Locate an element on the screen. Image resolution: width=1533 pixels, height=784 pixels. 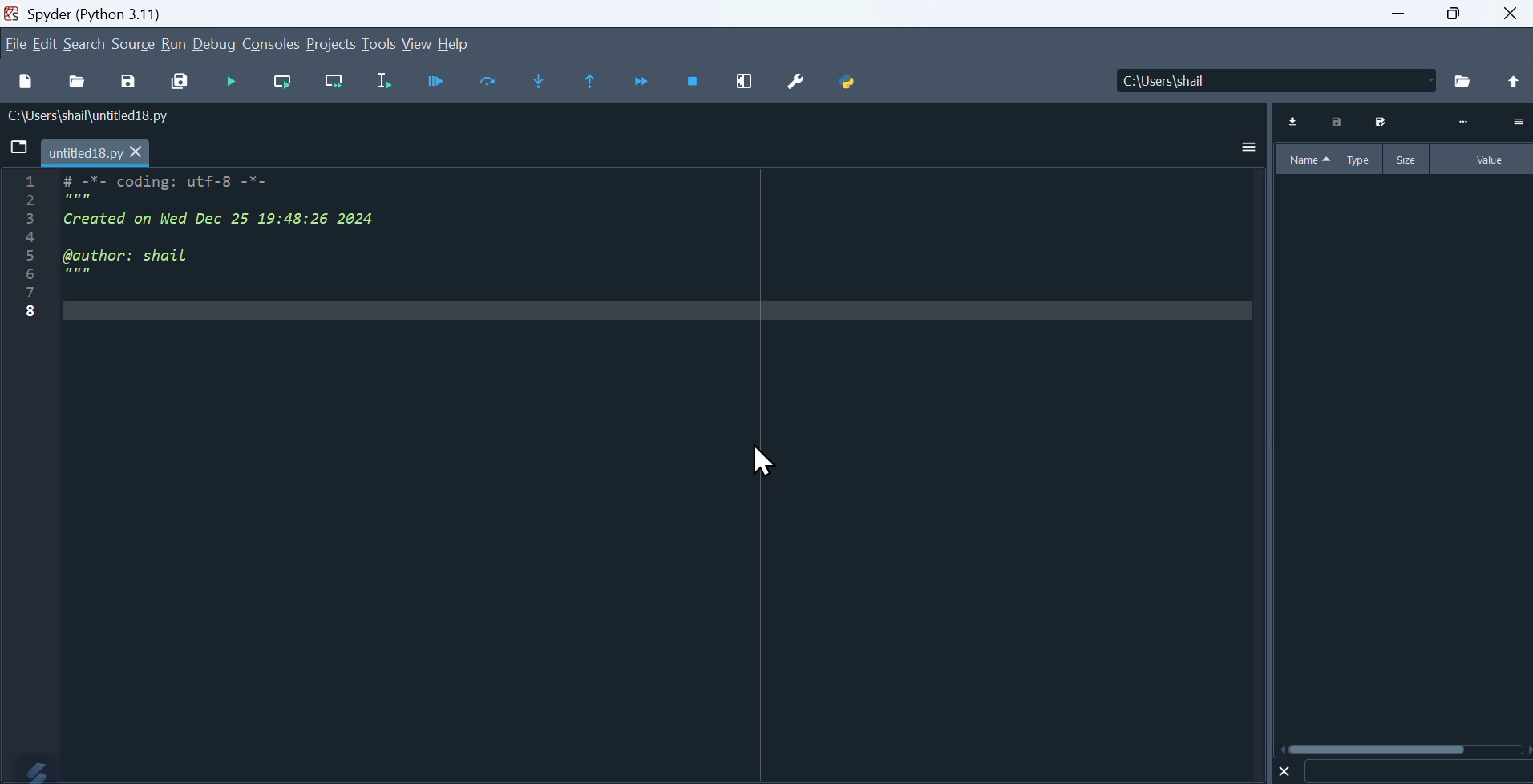
Continue execution until next function is located at coordinates (643, 83).